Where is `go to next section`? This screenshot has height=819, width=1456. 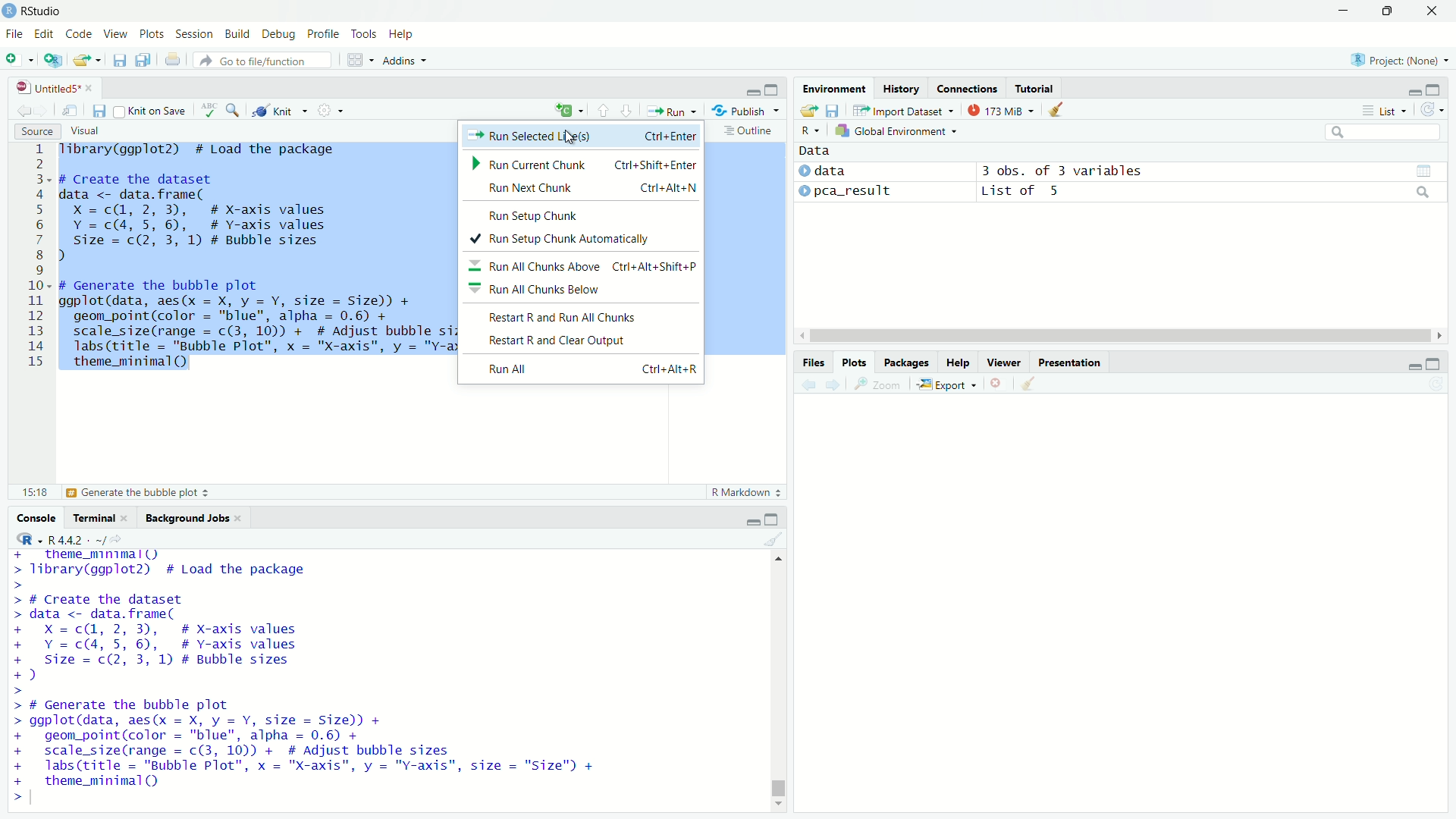 go to next section is located at coordinates (628, 108).